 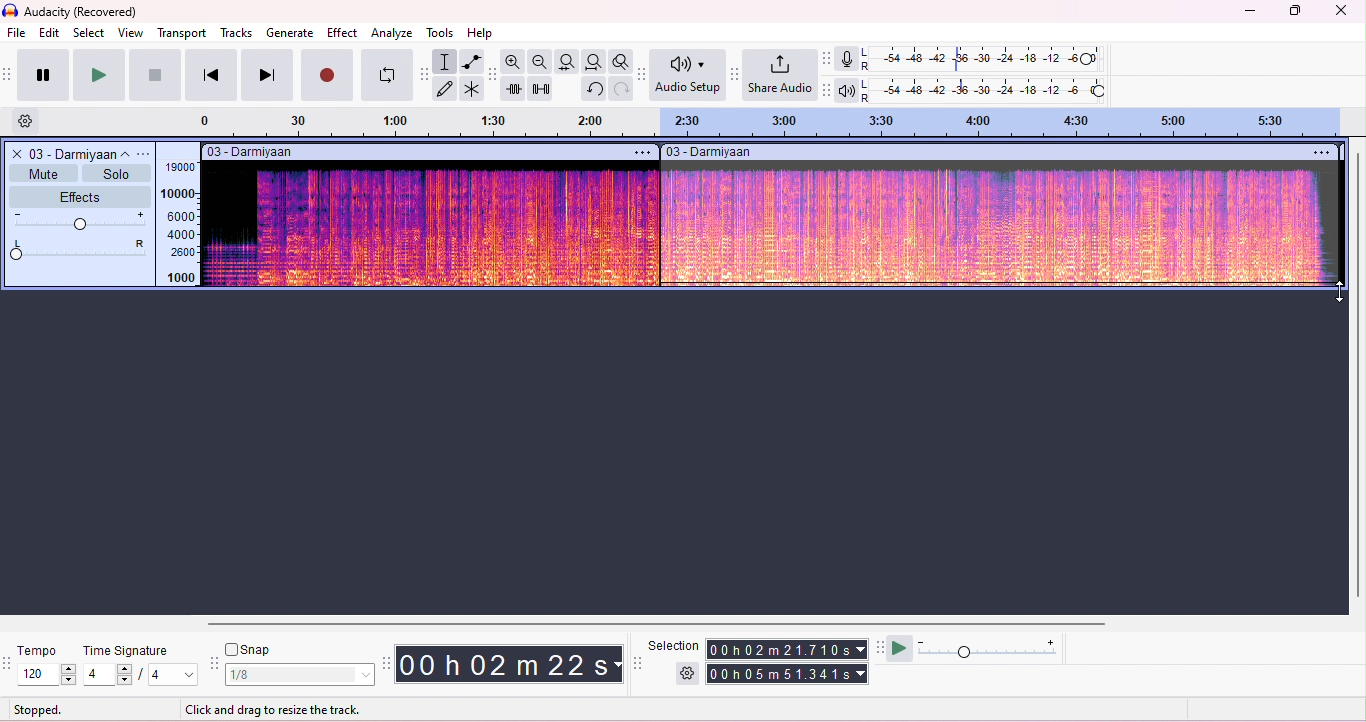 I want to click on click to resize the track, so click(x=277, y=710).